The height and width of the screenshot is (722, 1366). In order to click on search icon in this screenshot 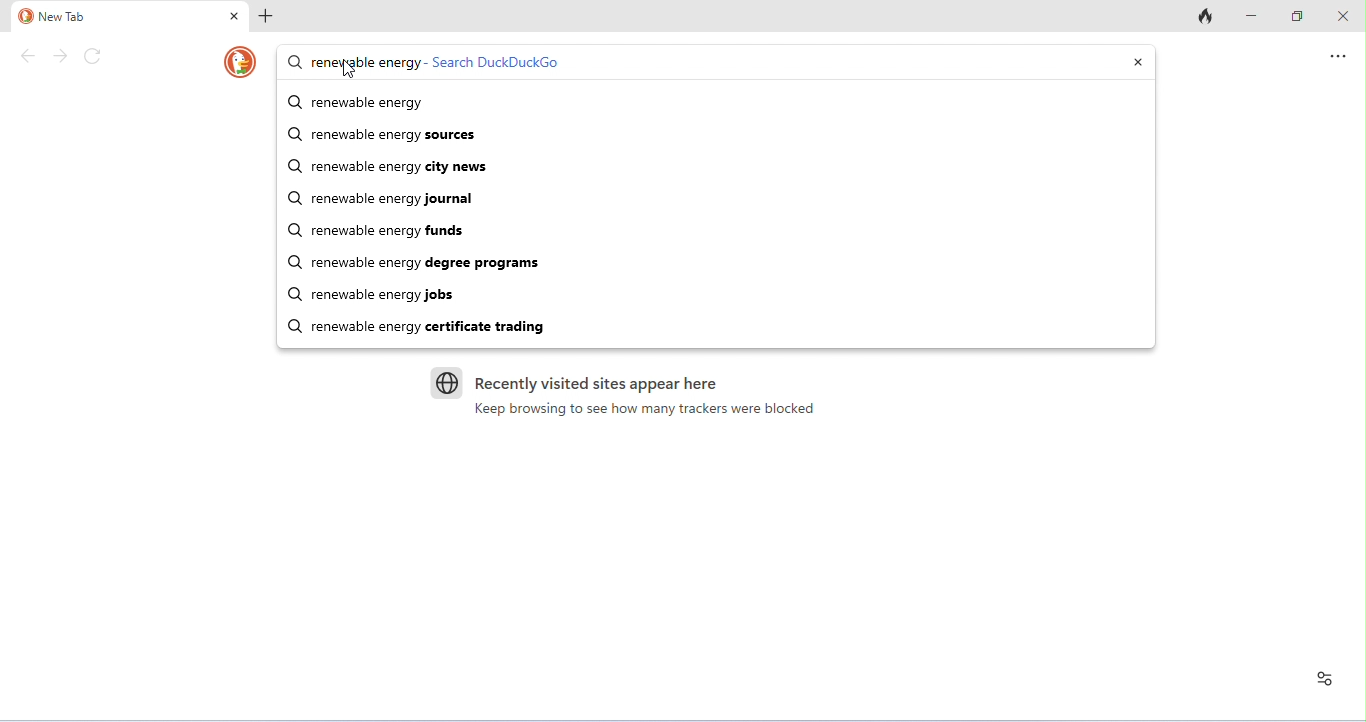, I will do `click(296, 294)`.